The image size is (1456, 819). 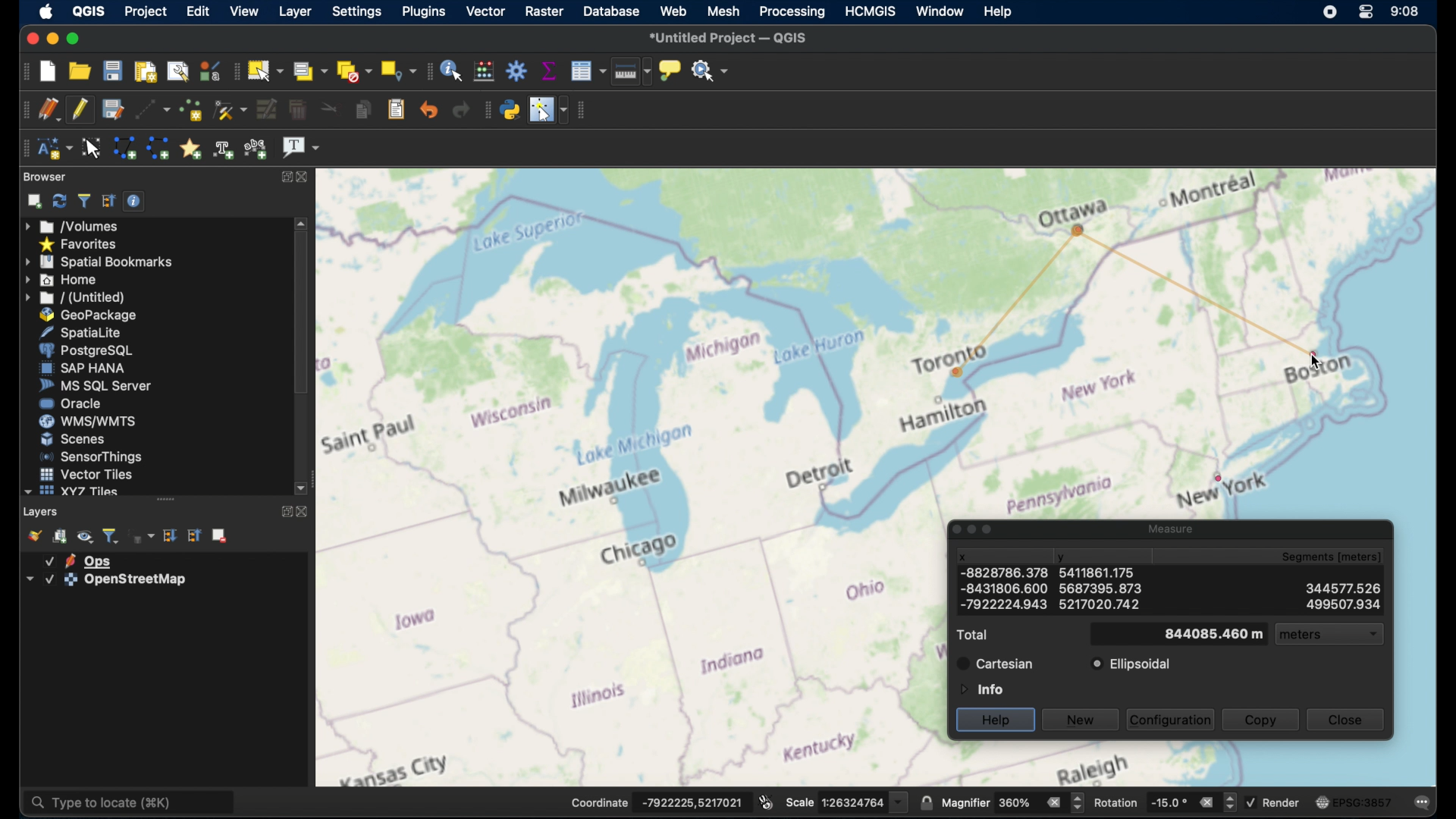 What do you see at coordinates (54, 149) in the screenshot?
I see `new annotation layer` at bounding box center [54, 149].